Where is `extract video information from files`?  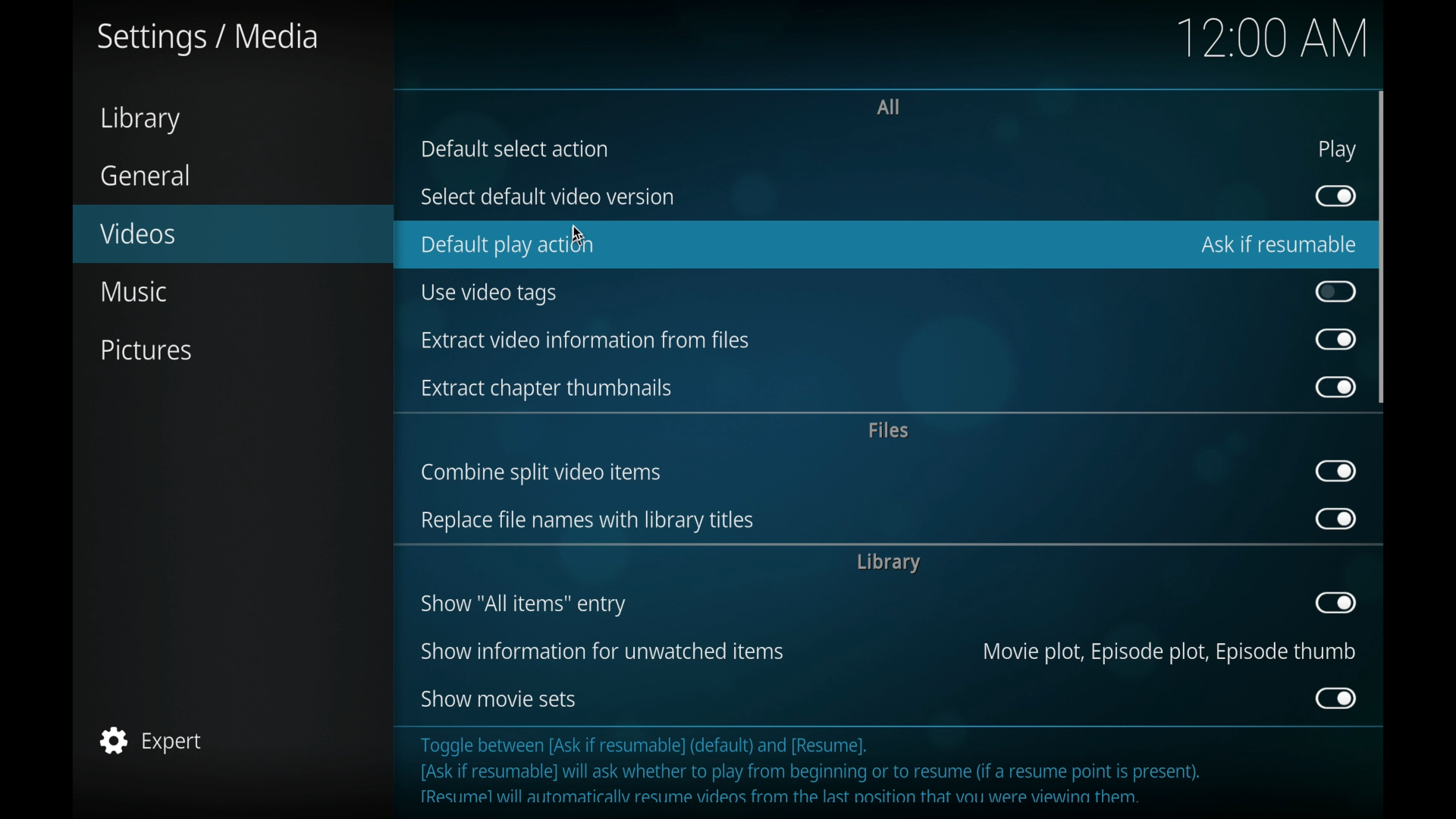 extract video information from files is located at coordinates (588, 340).